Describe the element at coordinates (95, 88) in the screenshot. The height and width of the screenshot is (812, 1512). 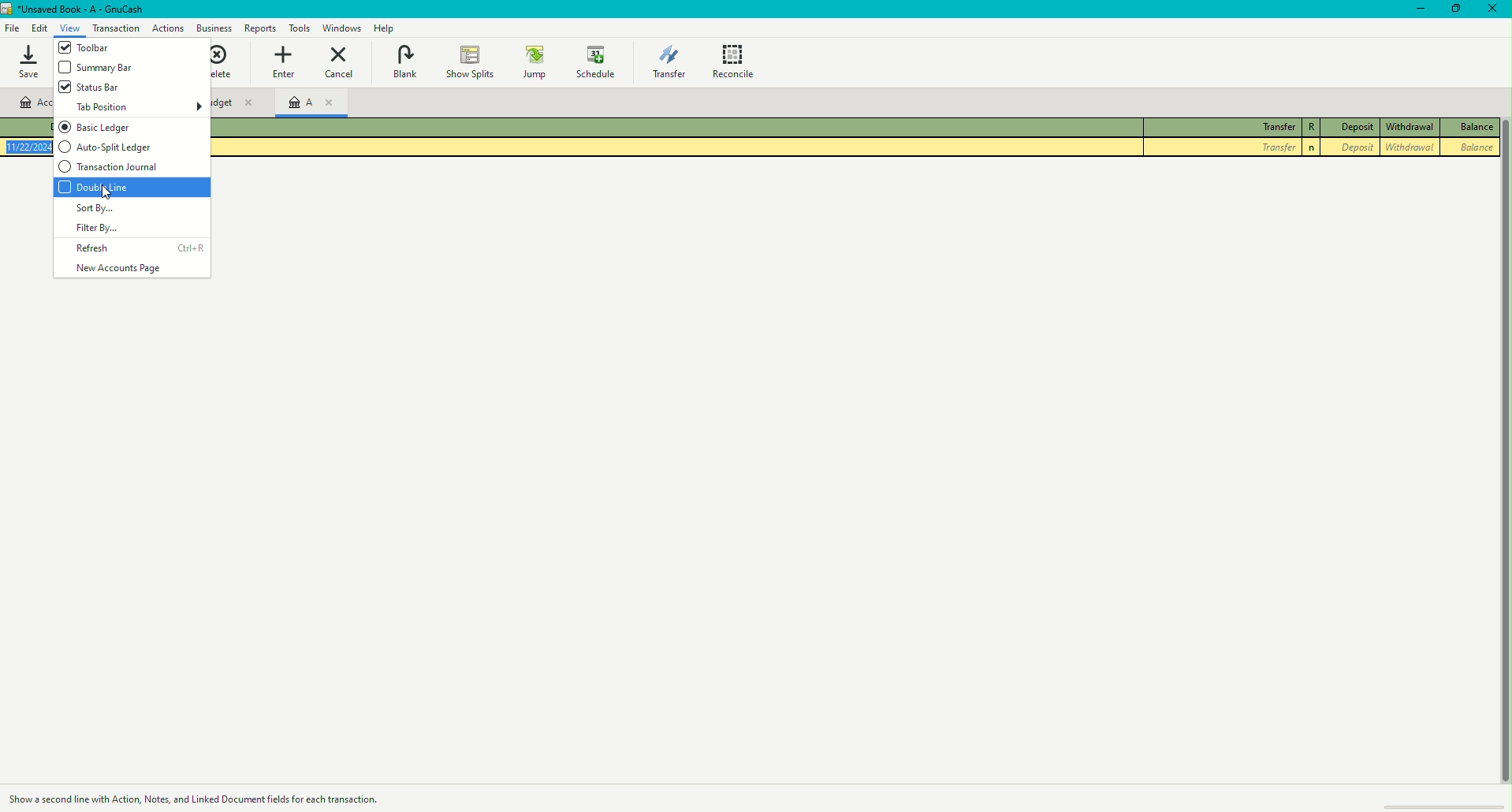
I see `Status bar` at that location.